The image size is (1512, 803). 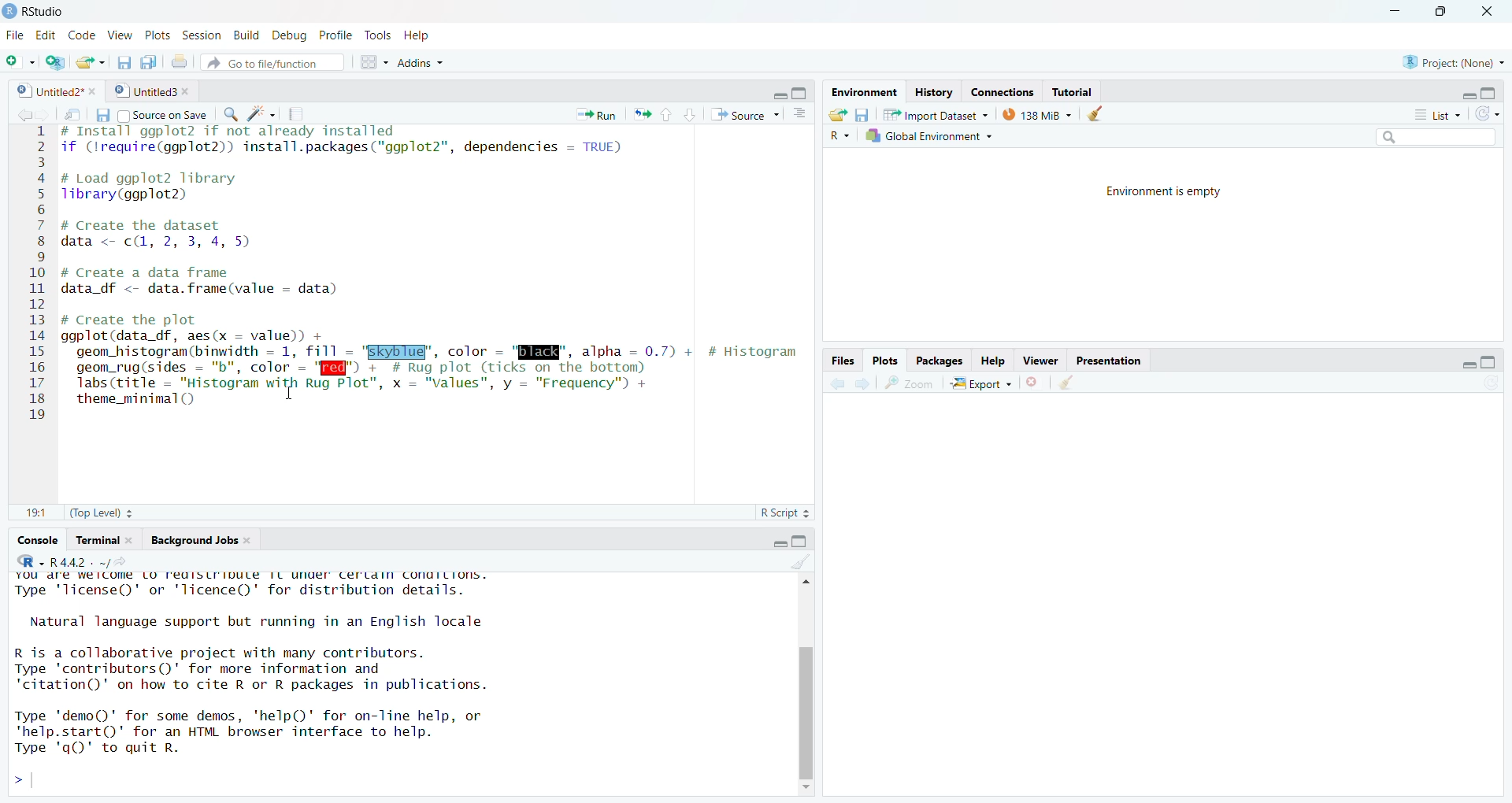 I want to click on Plots, so click(x=157, y=33).